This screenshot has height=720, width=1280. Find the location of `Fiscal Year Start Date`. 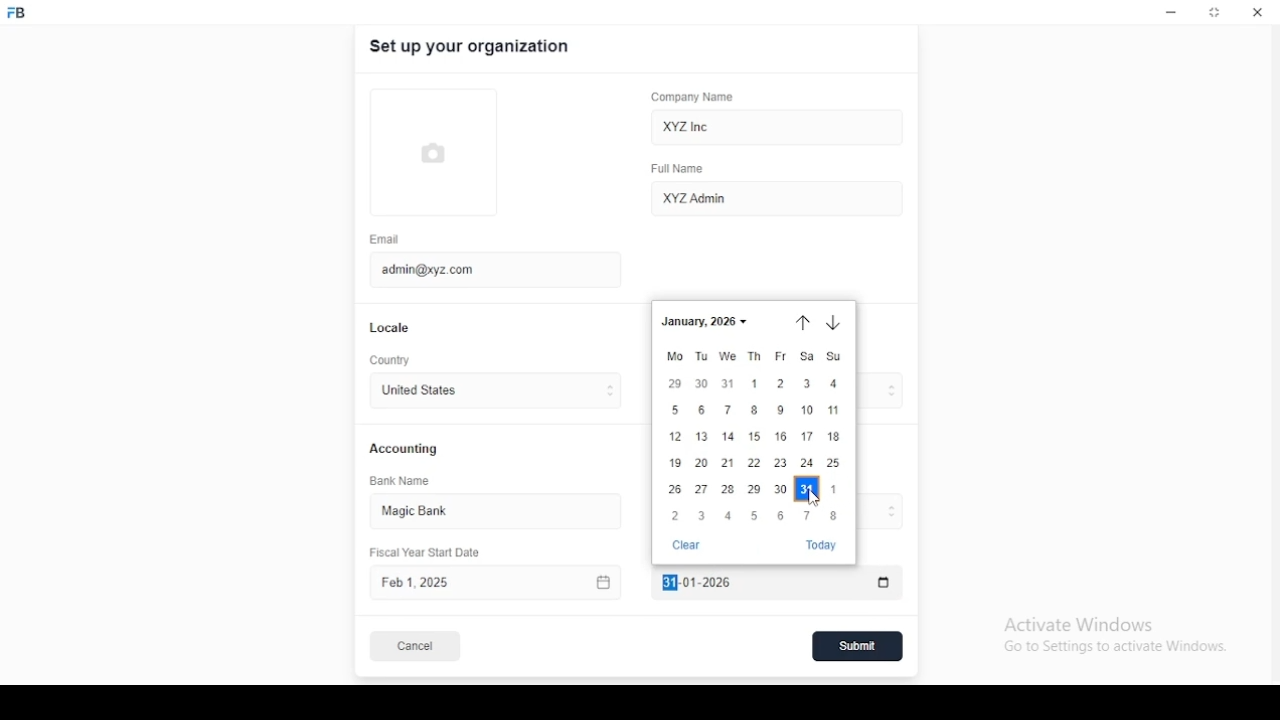

Fiscal Year Start Date is located at coordinates (498, 583).